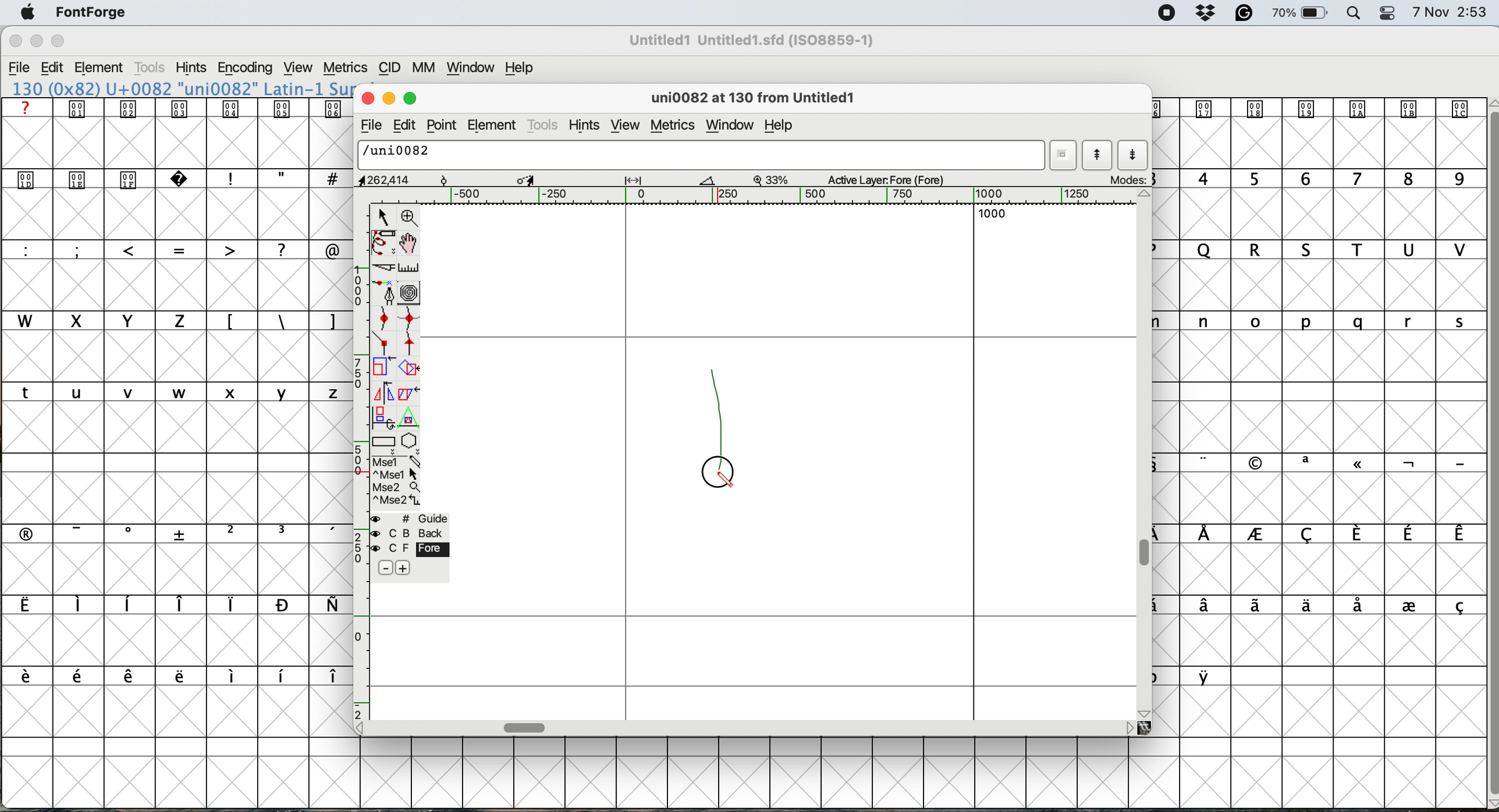  I want to click on add a point then drag out its control points, so click(385, 294).